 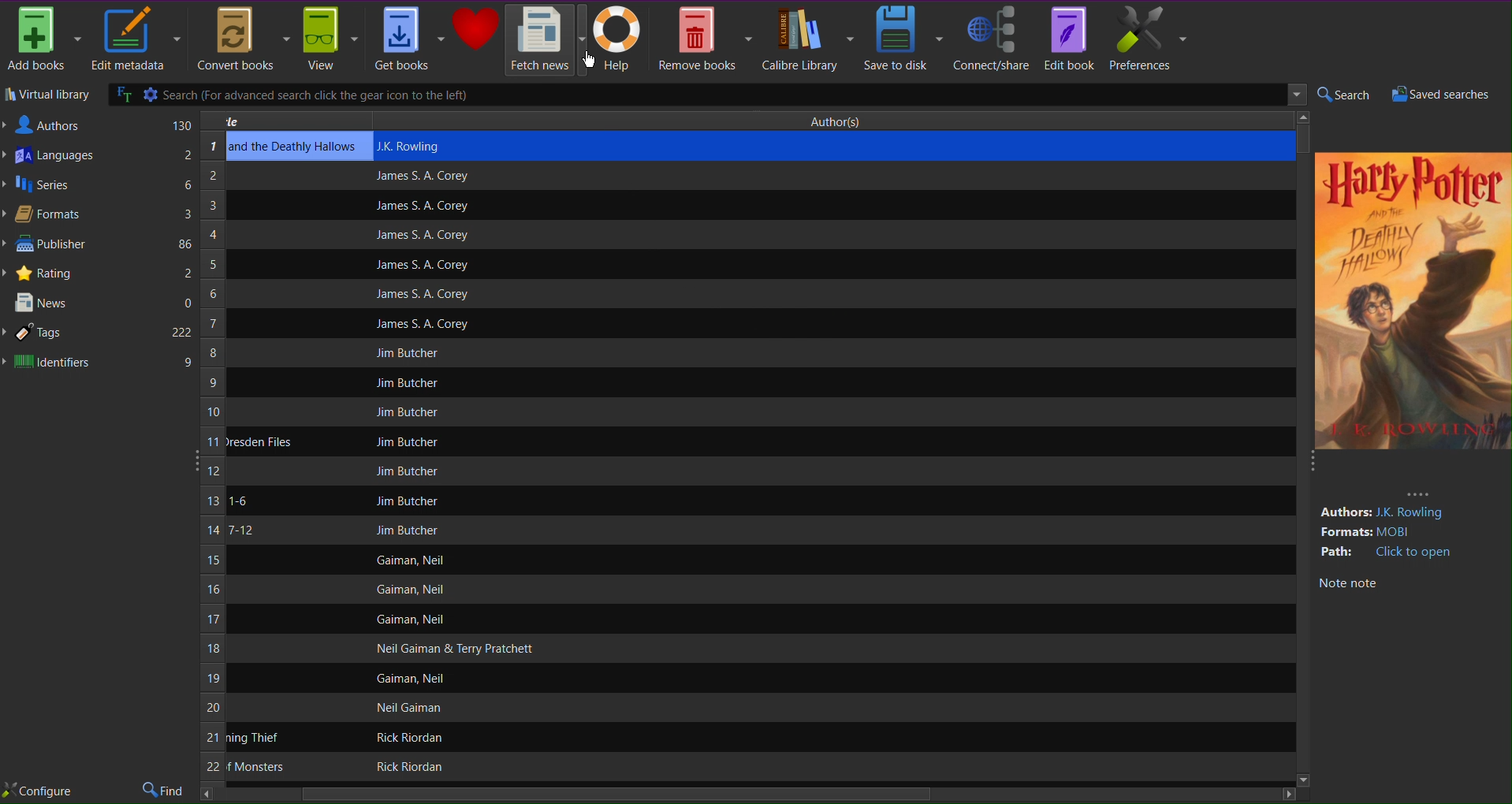 I want to click on 1-6, so click(x=238, y=501).